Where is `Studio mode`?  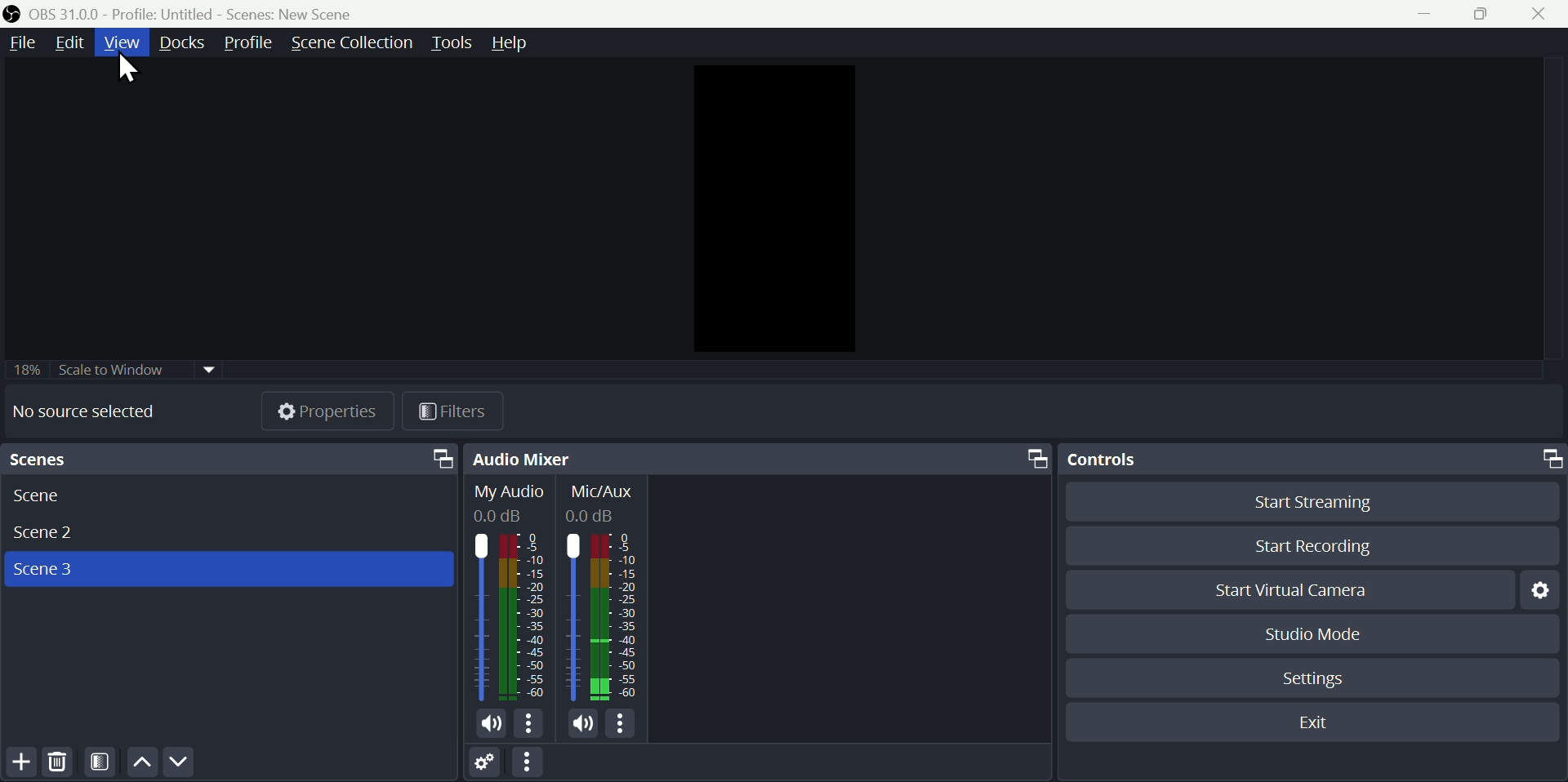 Studio mode is located at coordinates (1307, 634).